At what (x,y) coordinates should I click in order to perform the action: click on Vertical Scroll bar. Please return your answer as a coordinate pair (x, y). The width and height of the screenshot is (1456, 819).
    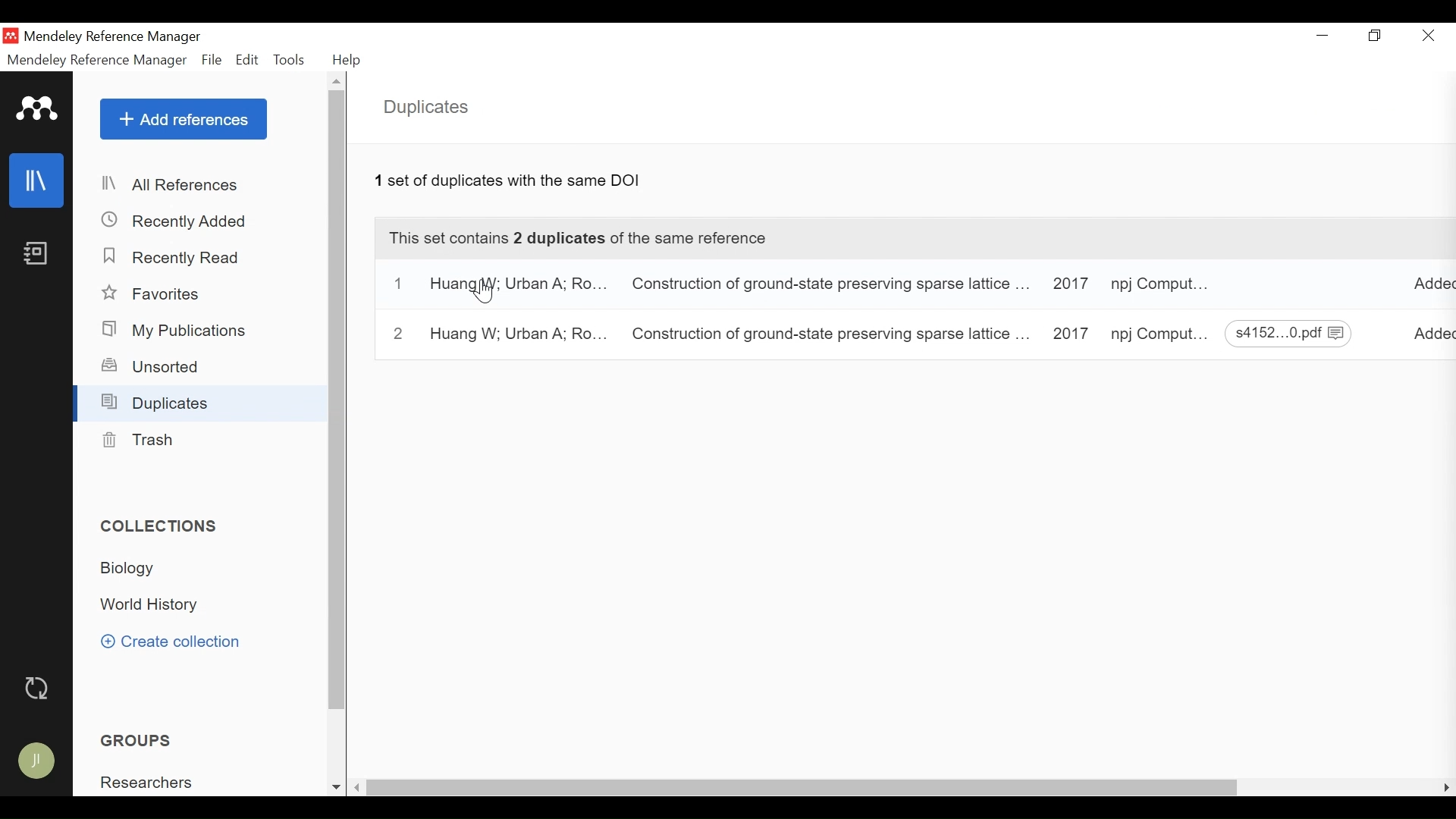
    Looking at the image, I should click on (337, 403).